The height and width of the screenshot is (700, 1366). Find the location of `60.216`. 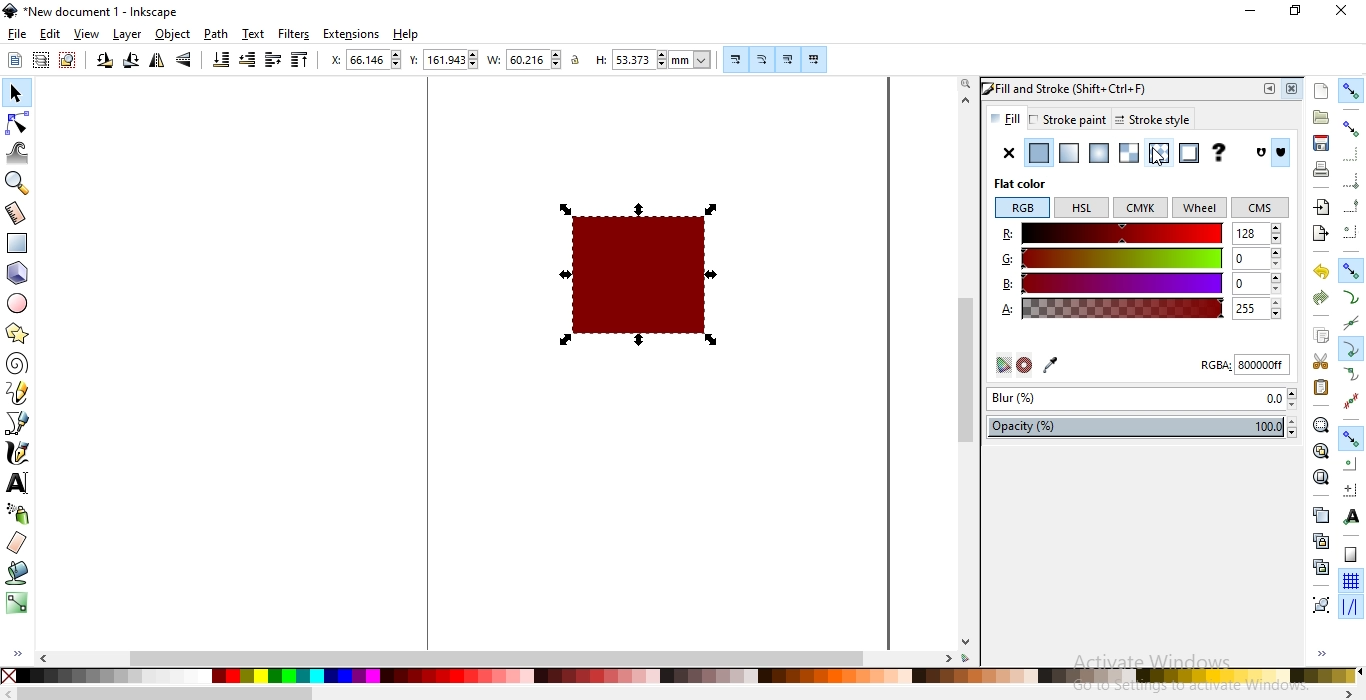

60.216 is located at coordinates (535, 60).